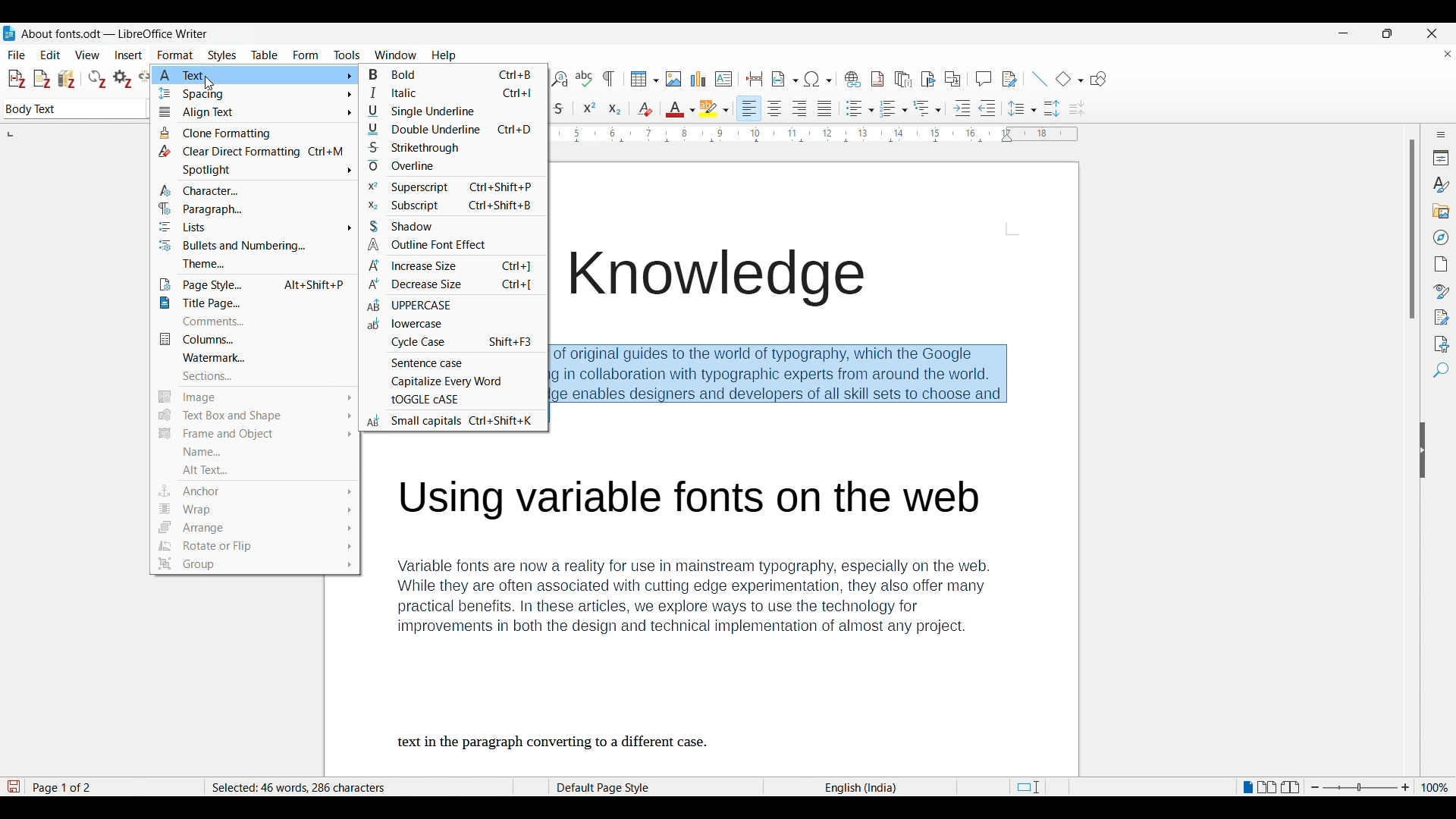  What do you see at coordinates (449, 207) in the screenshot?
I see `subscript` at bounding box center [449, 207].